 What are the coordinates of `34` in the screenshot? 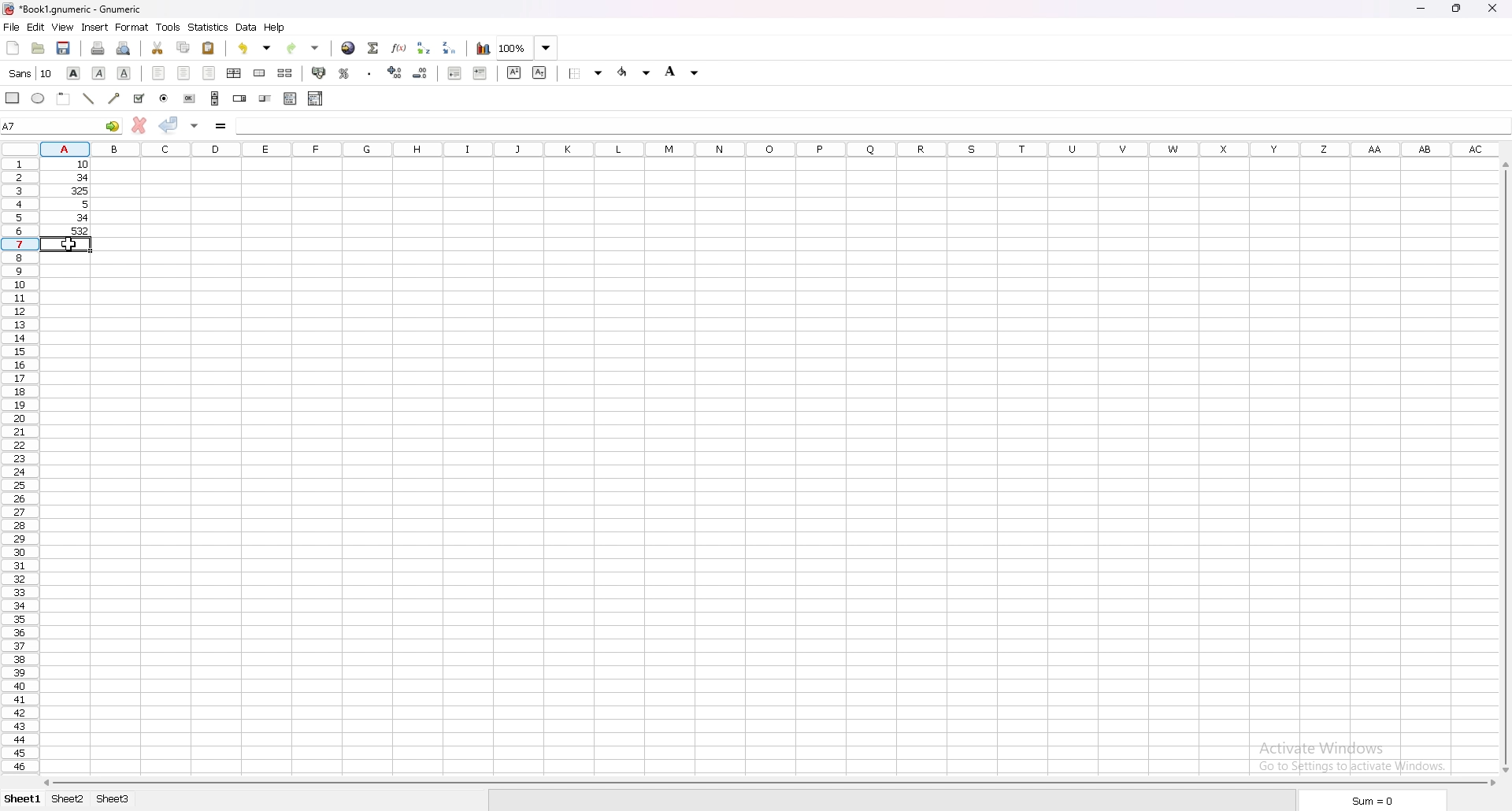 It's located at (71, 177).